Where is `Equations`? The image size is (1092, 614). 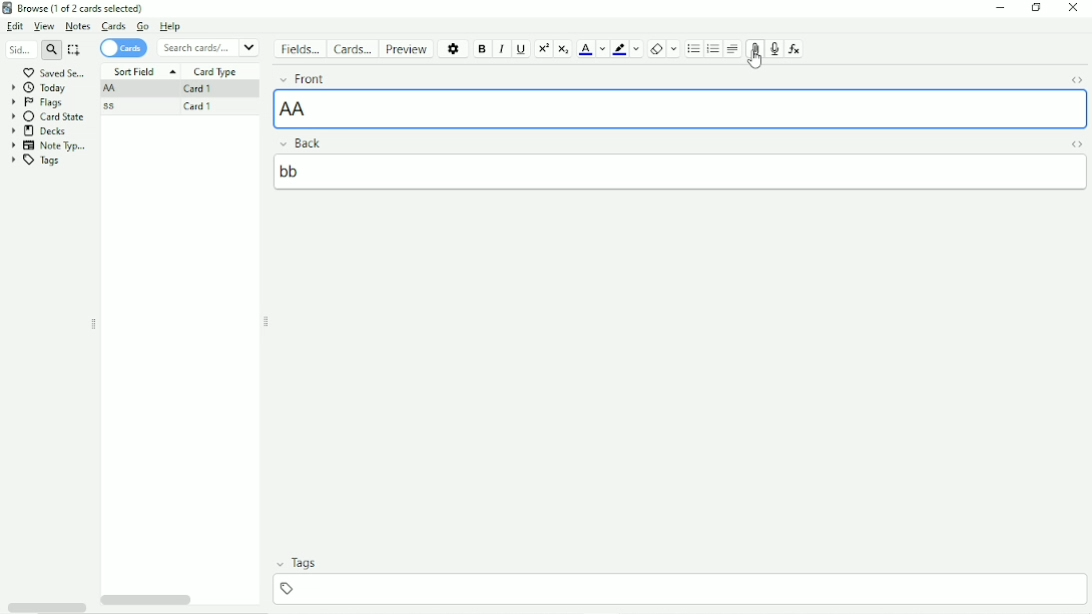 Equations is located at coordinates (794, 48).